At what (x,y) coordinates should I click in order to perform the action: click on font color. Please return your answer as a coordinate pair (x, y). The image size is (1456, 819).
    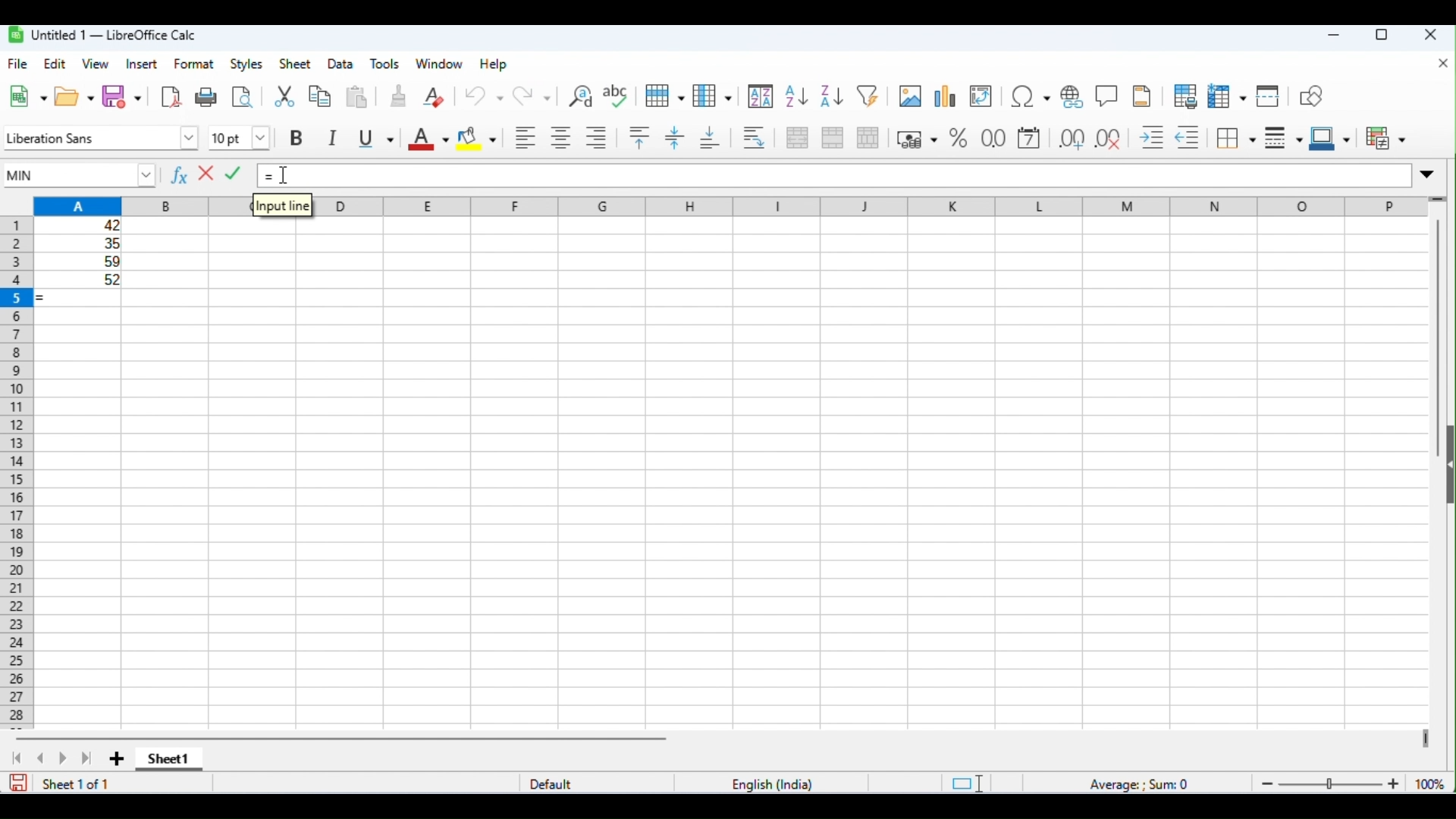
    Looking at the image, I should click on (428, 137).